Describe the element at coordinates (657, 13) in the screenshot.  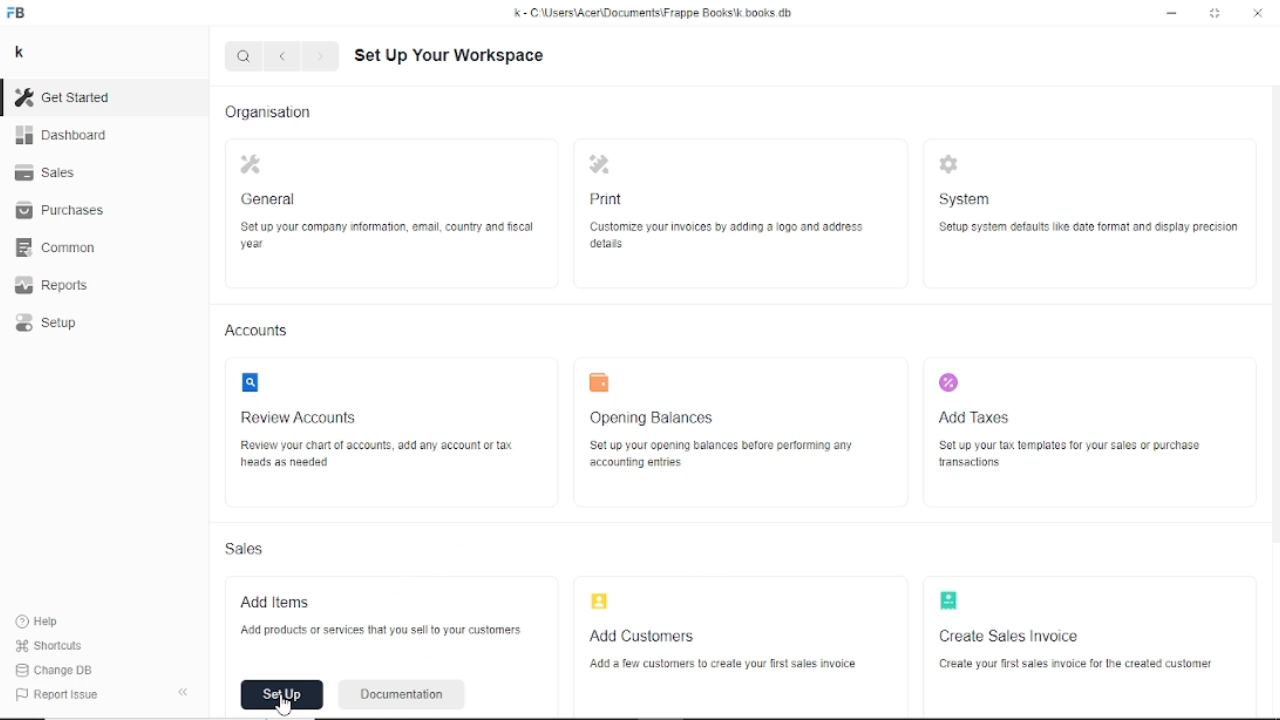
I see `K -C\Users\Acer\Documents\ Frappe Books\k books db` at that location.